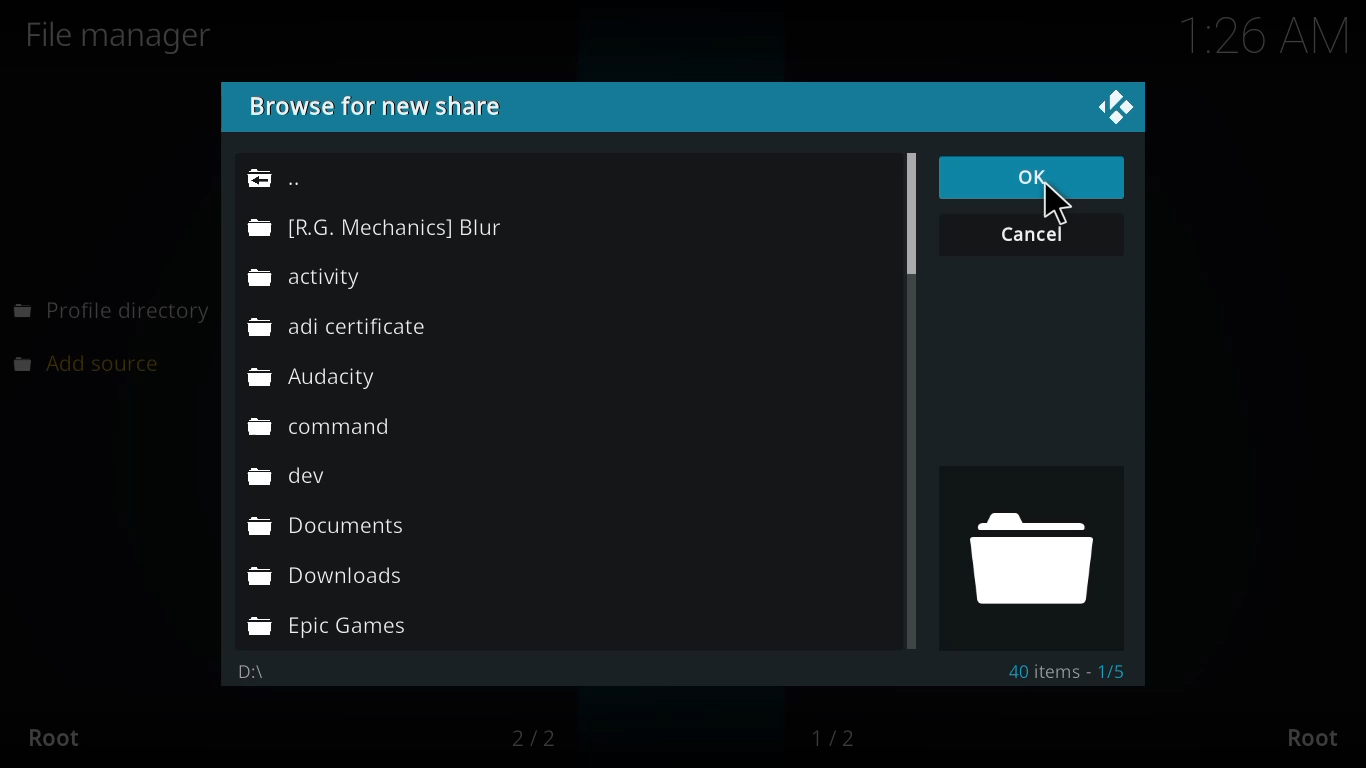 This screenshot has width=1366, height=768. What do you see at coordinates (281, 178) in the screenshot?
I see `back` at bounding box center [281, 178].